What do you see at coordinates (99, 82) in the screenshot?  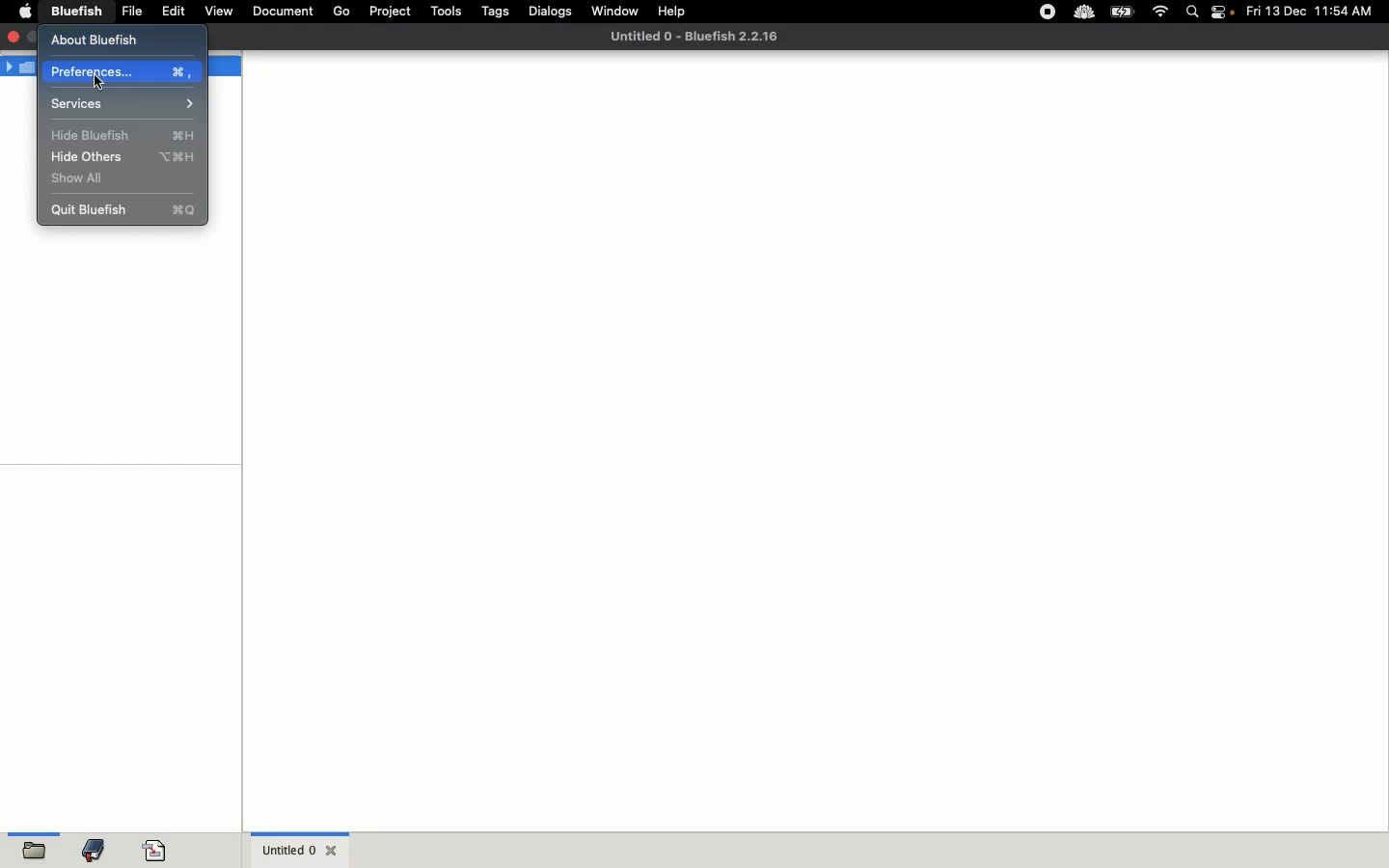 I see `cursor` at bounding box center [99, 82].